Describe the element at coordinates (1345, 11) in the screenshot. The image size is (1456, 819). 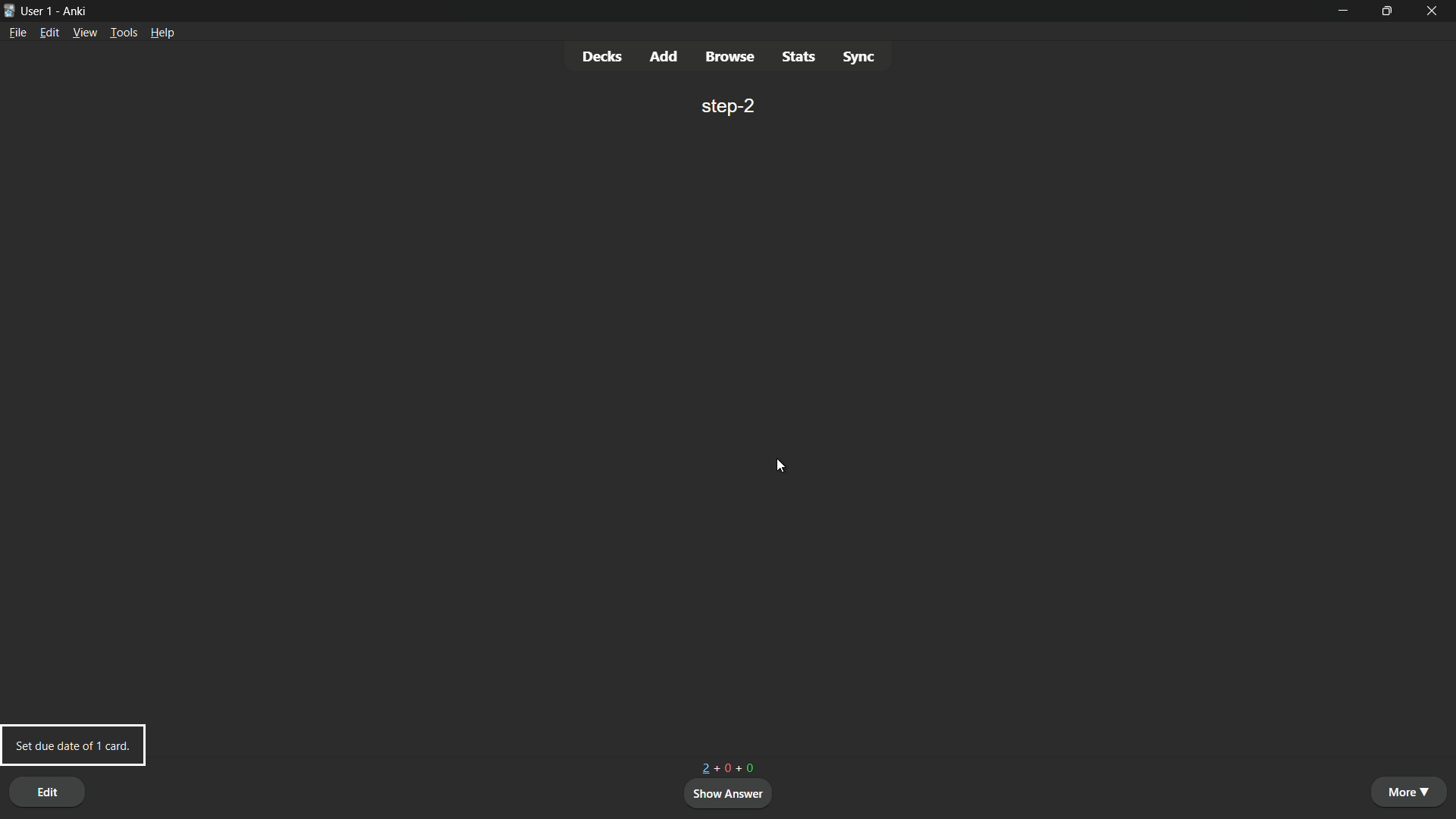
I see `minimize` at that location.